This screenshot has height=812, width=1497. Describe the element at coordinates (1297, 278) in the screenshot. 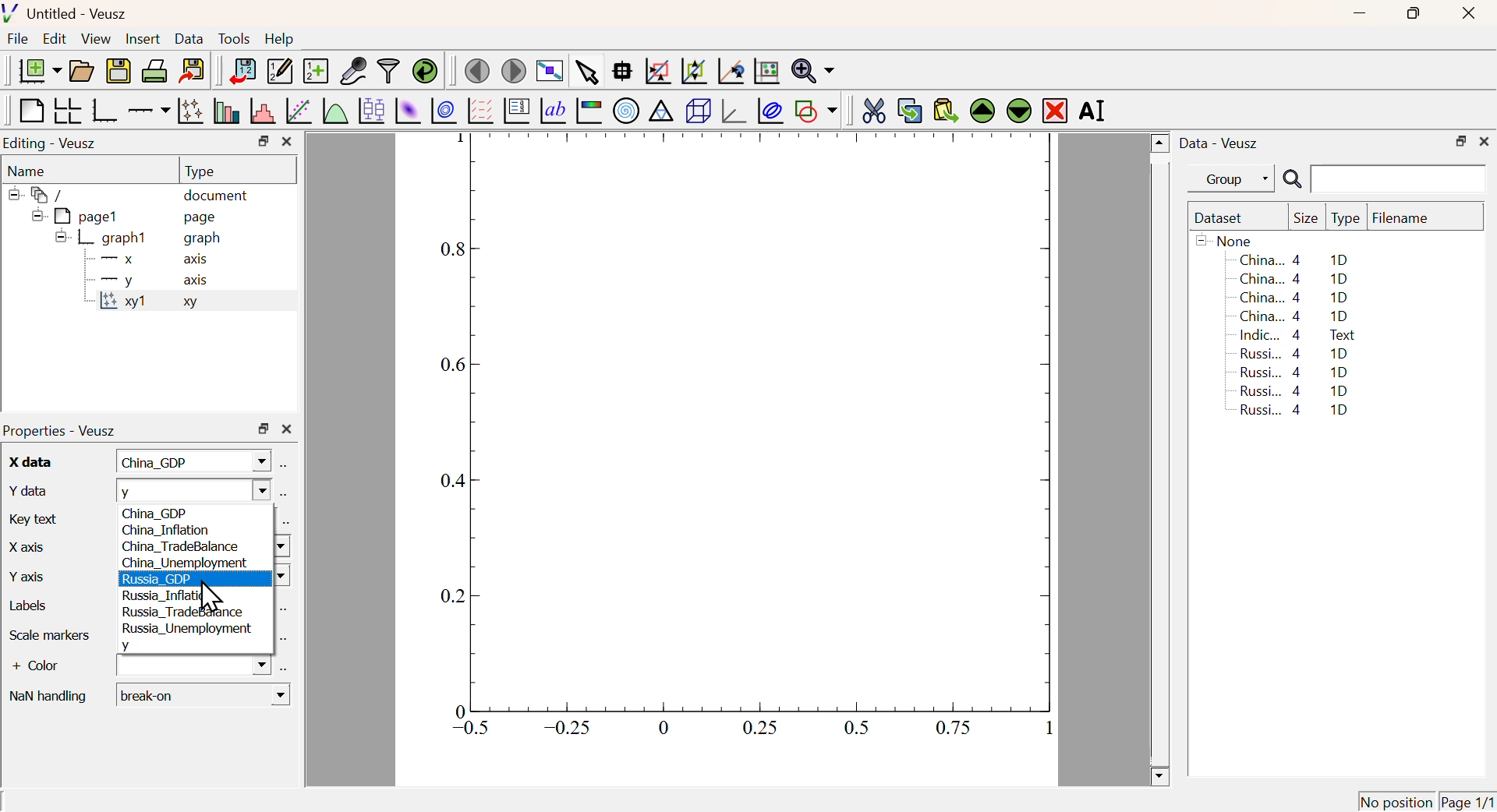

I see `China... 4 1D` at that location.